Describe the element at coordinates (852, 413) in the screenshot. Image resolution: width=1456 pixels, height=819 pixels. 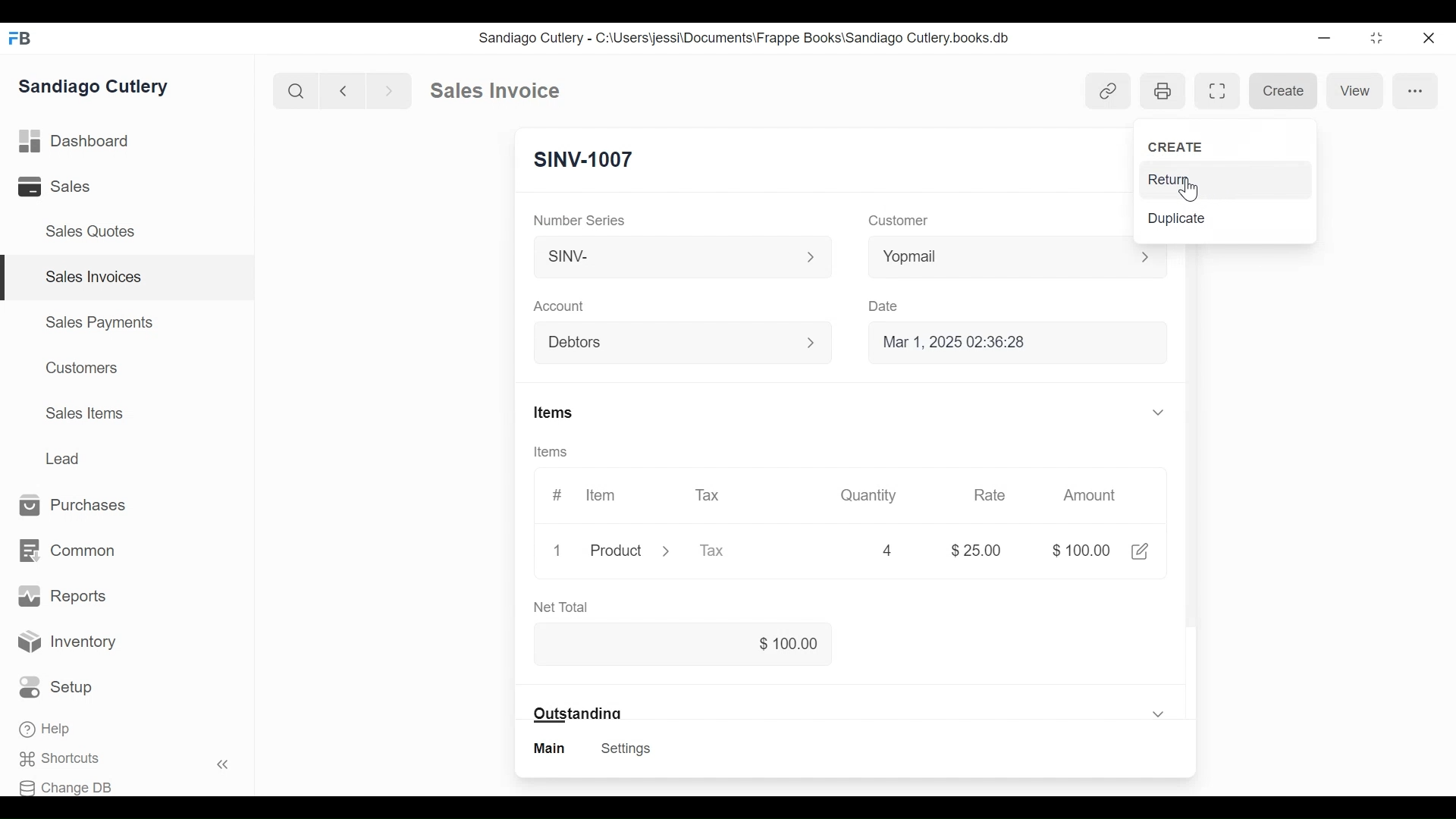
I see `Items` at that location.